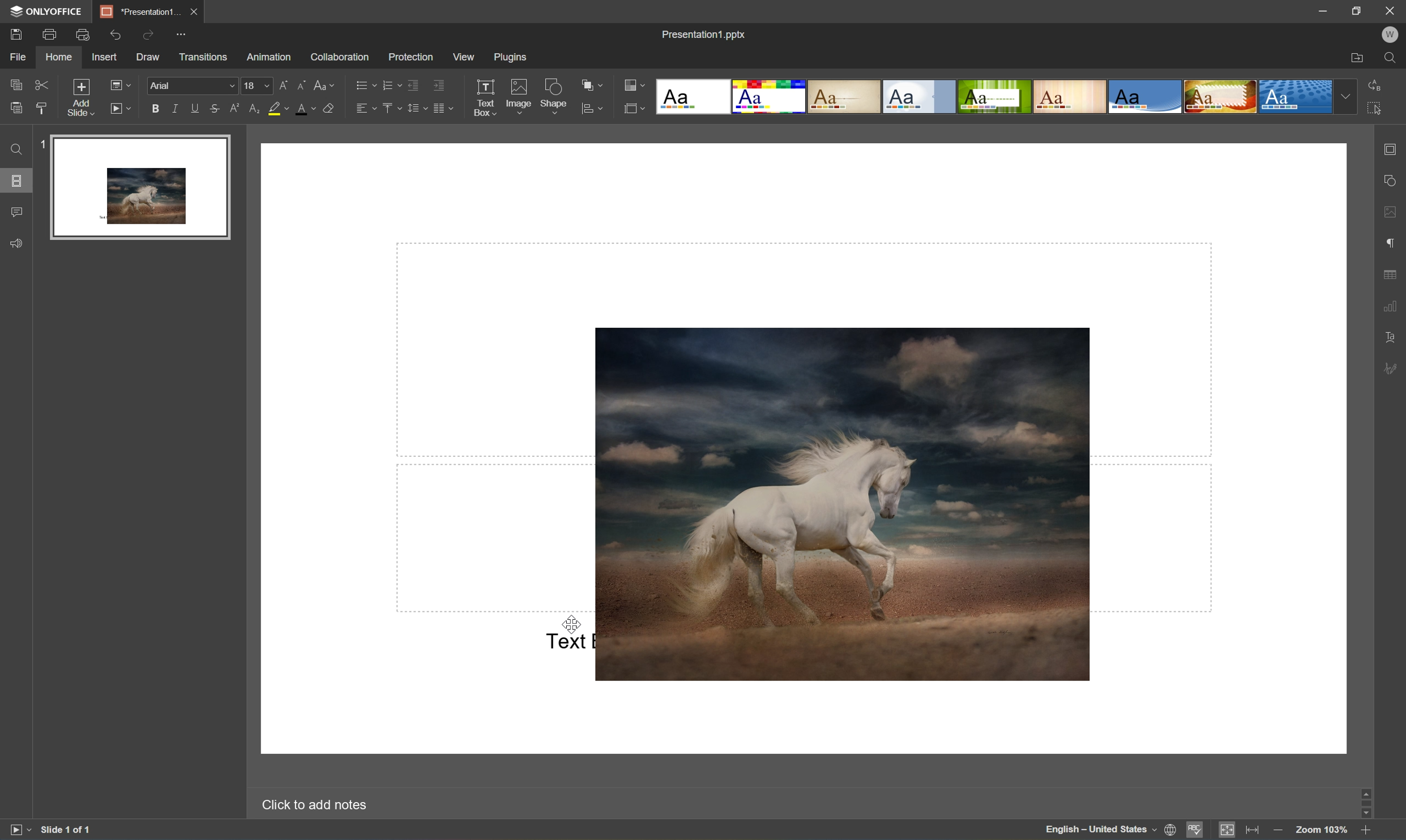 The image size is (1406, 840). What do you see at coordinates (484, 97) in the screenshot?
I see `Text Box` at bounding box center [484, 97].